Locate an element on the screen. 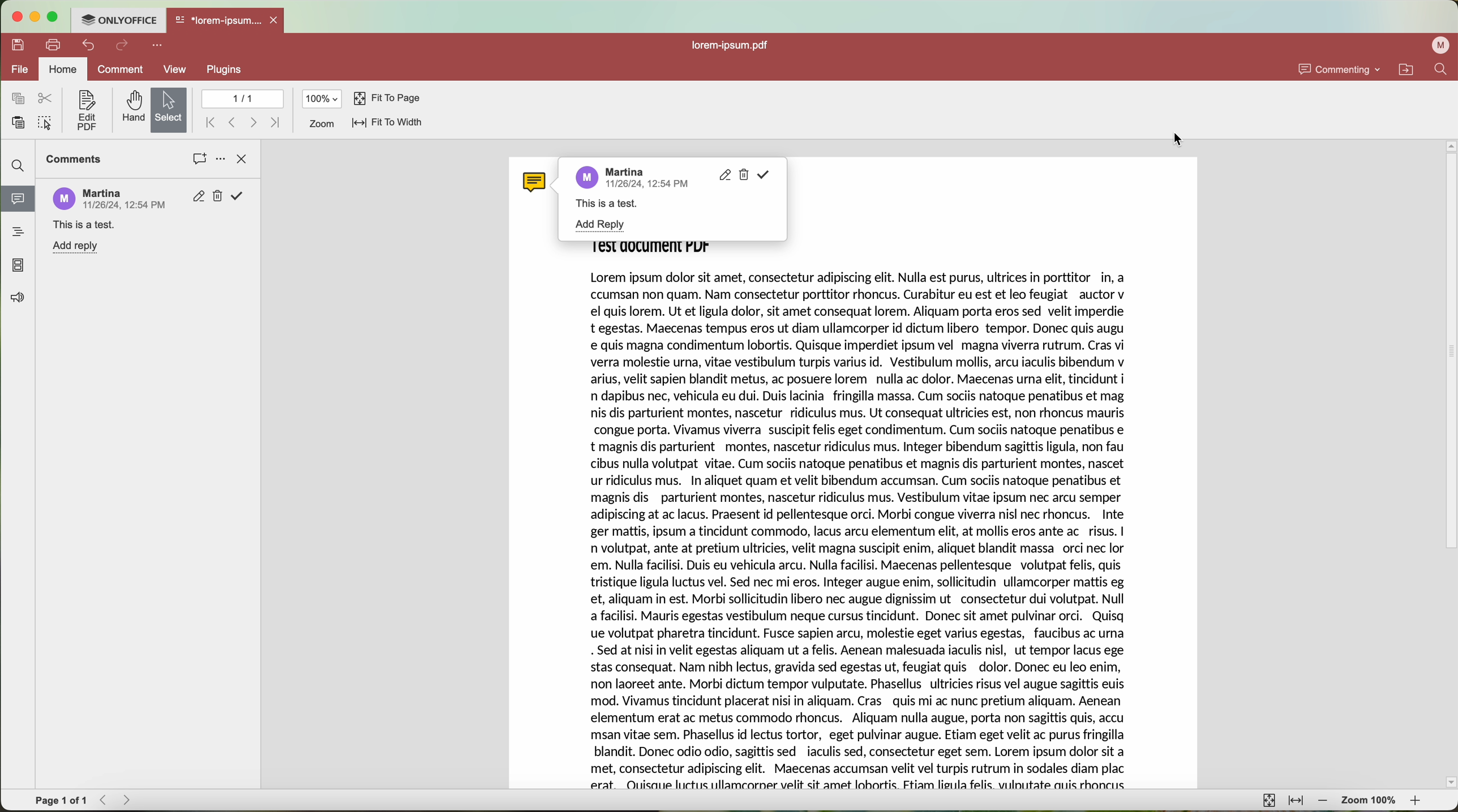 Image resolution: width=1458 pixels, height=812 pixels. cursor is located at coordinates (1182, 139).